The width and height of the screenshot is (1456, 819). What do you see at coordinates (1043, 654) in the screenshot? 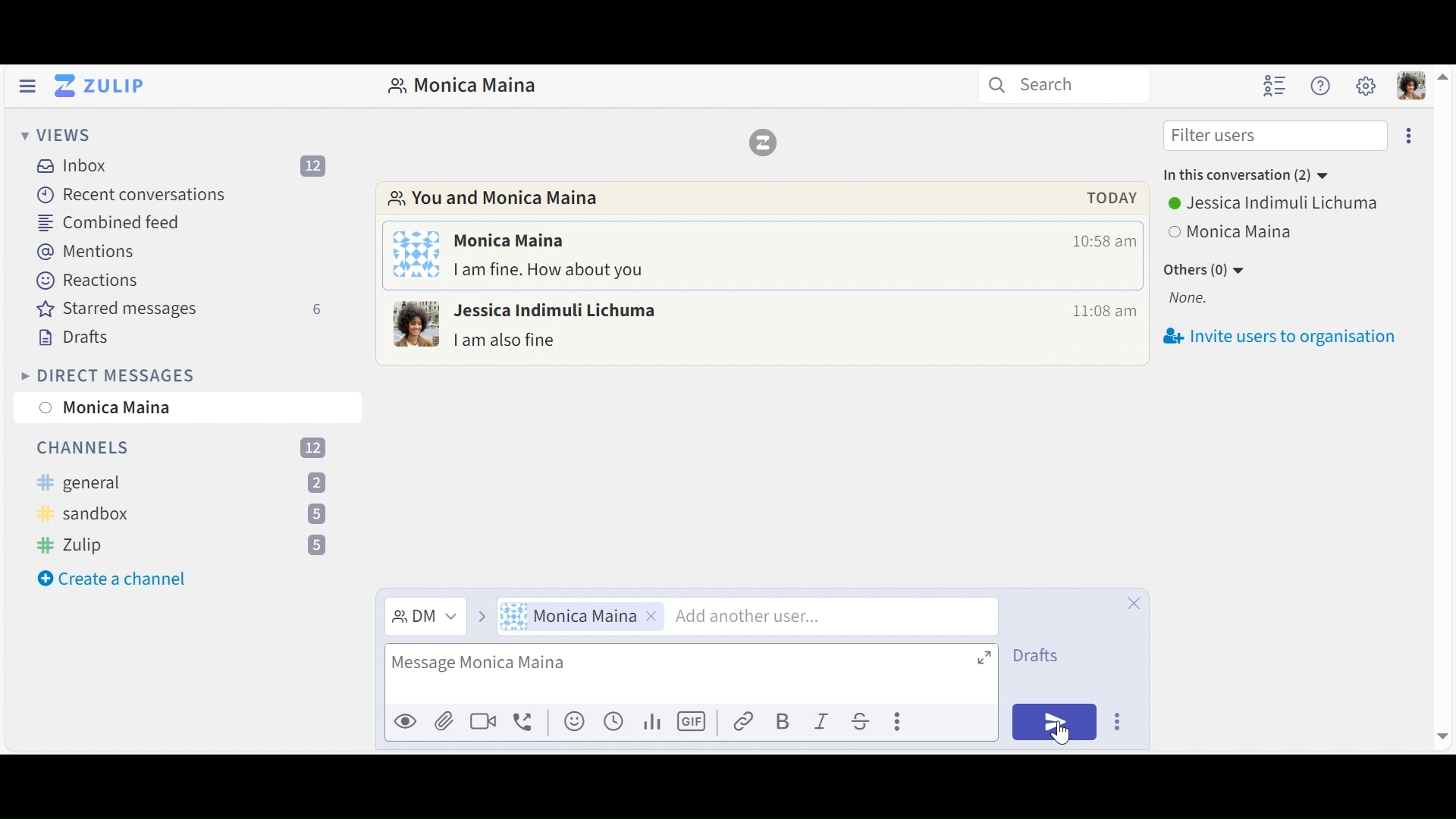
I see `Drafts` at bounding box center [1043, 654].